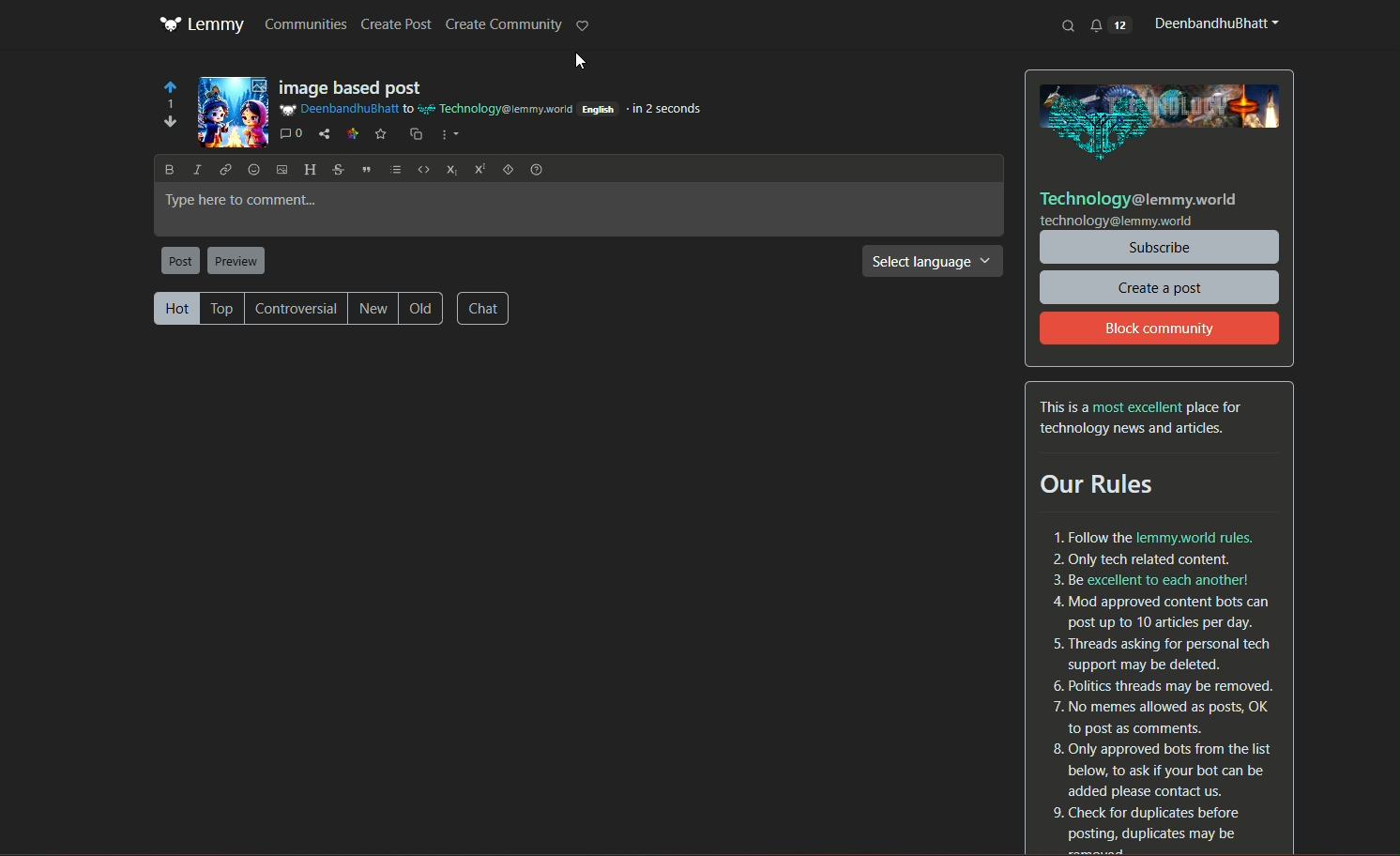 The height and width of the screenshot is (856, 1400). I want to click on Share, so click(326, 132).